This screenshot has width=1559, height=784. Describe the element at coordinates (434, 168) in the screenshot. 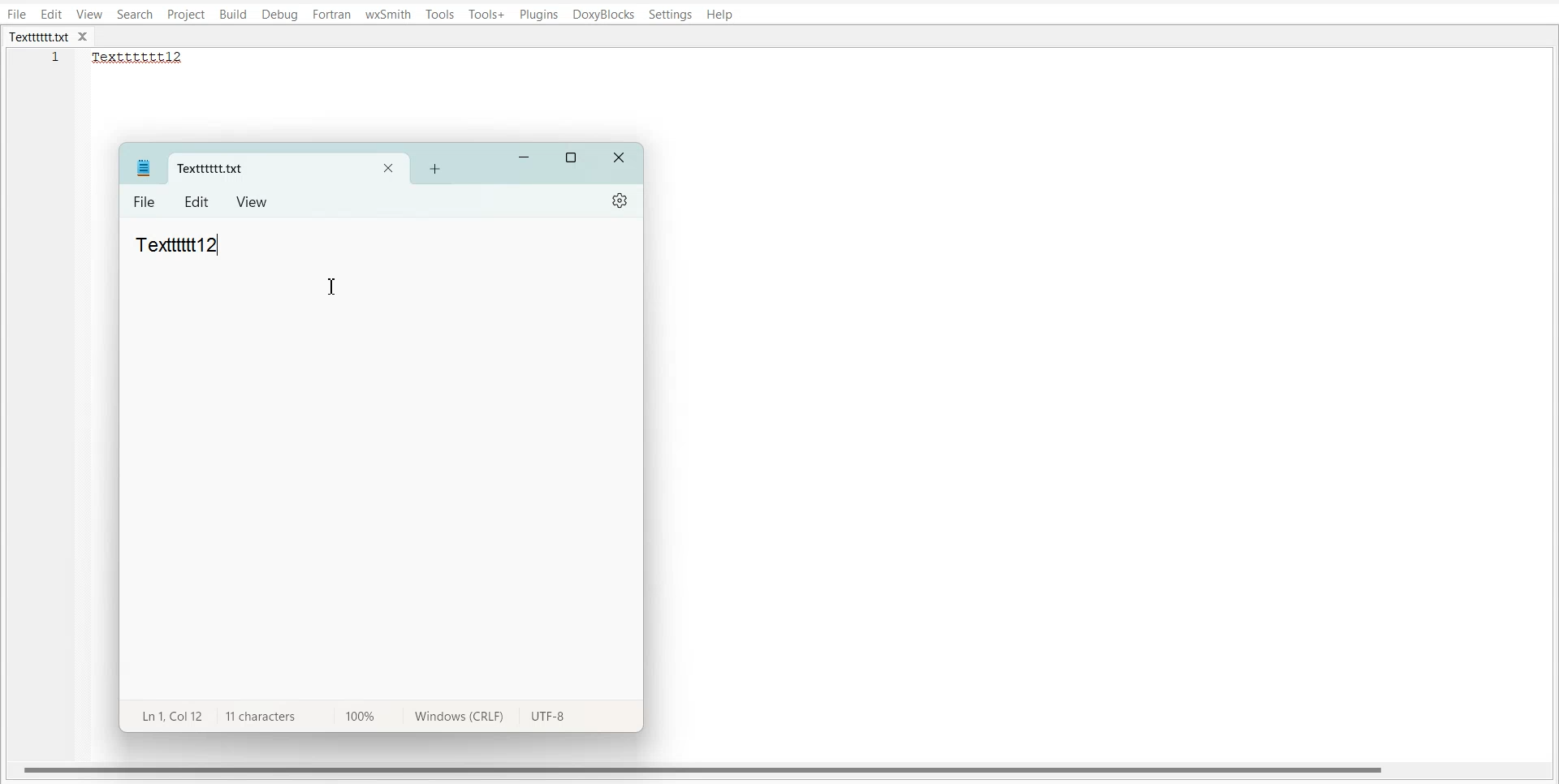

I see `Add File` at that location.